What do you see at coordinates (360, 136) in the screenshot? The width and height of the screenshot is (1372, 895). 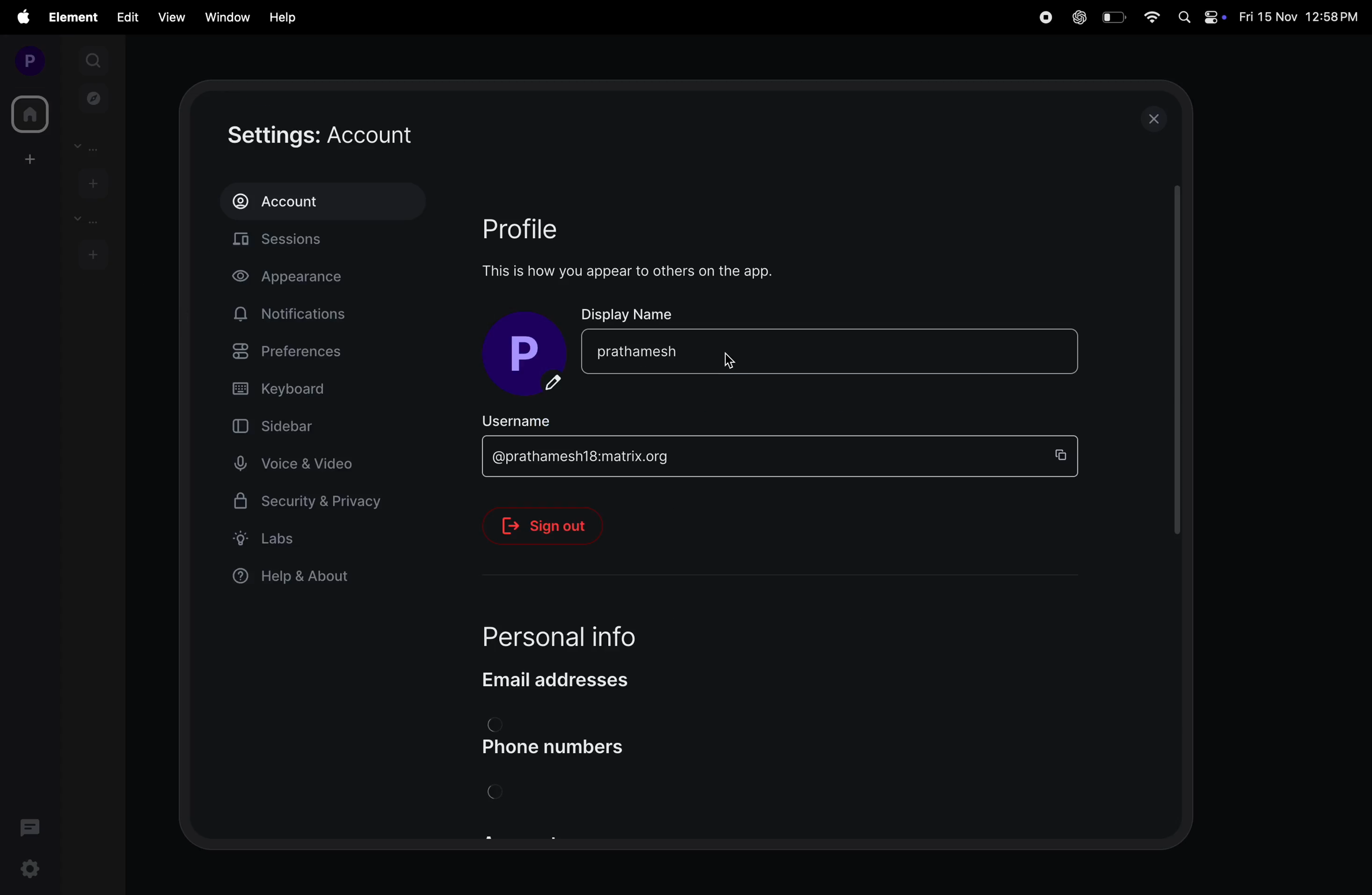 I see `settings account` at bounding box center [360, 136].